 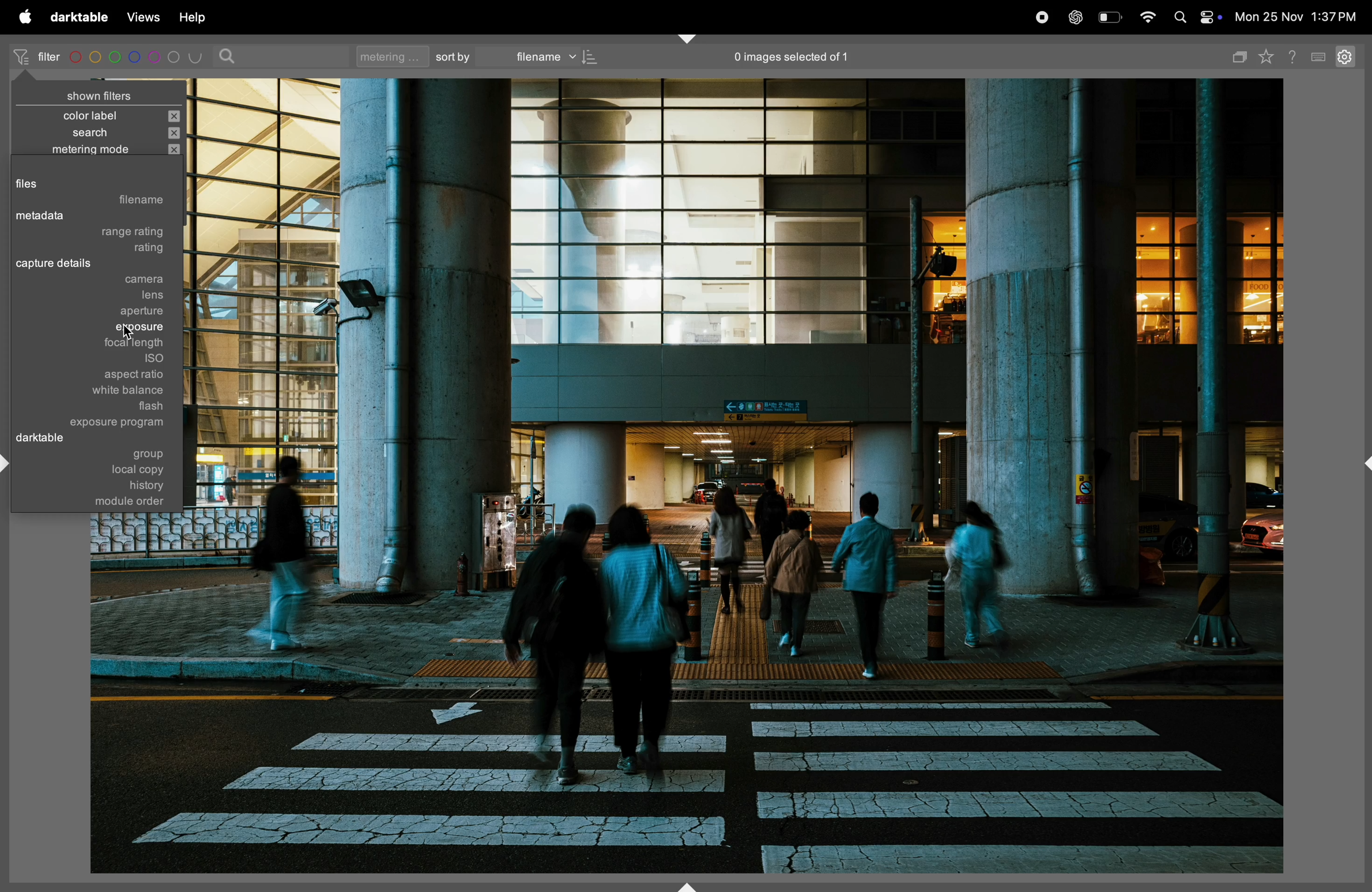 I want to click on shift+ctrl+l, so click(x=9, y=464).